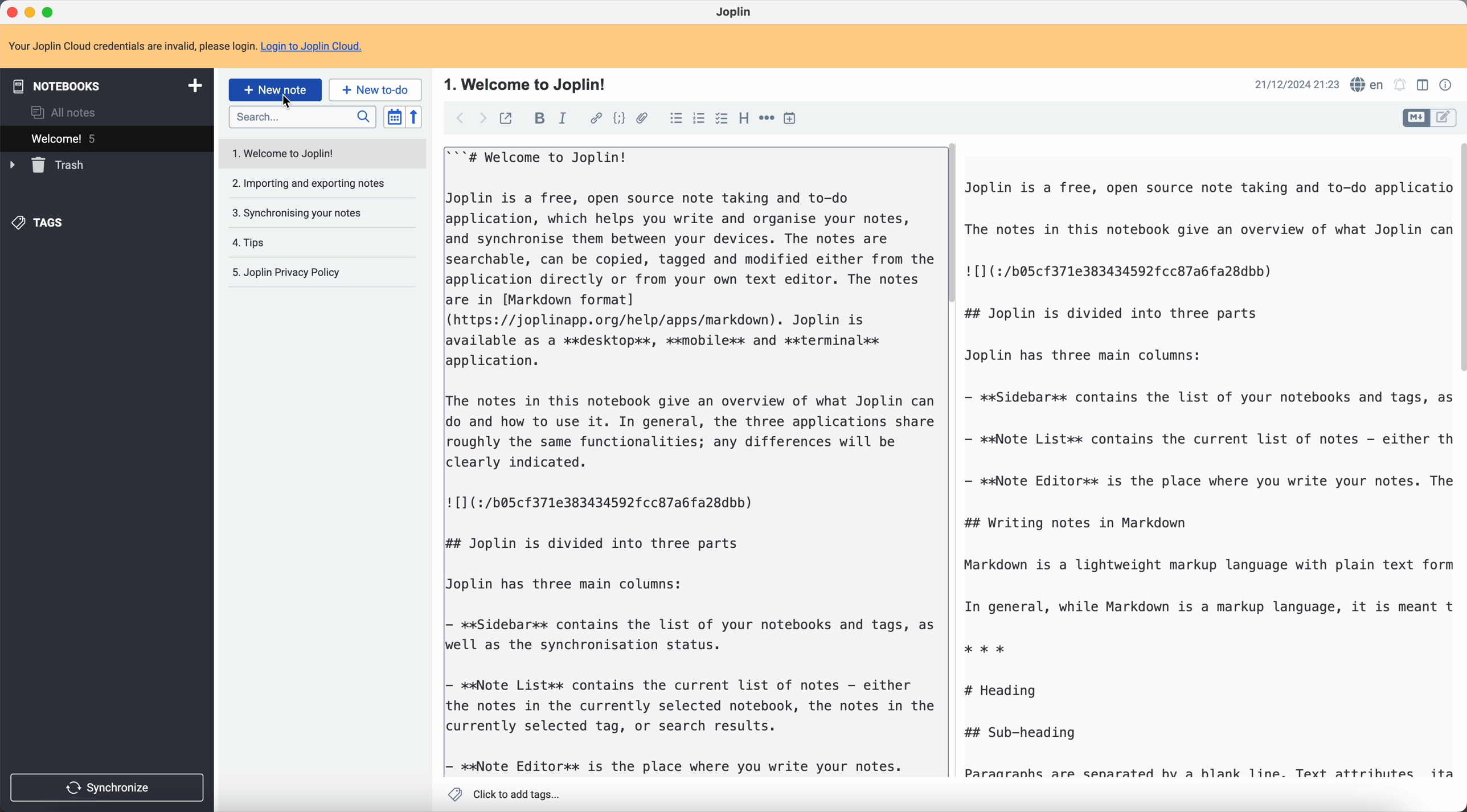  I want to click on note, so click(185, 44).